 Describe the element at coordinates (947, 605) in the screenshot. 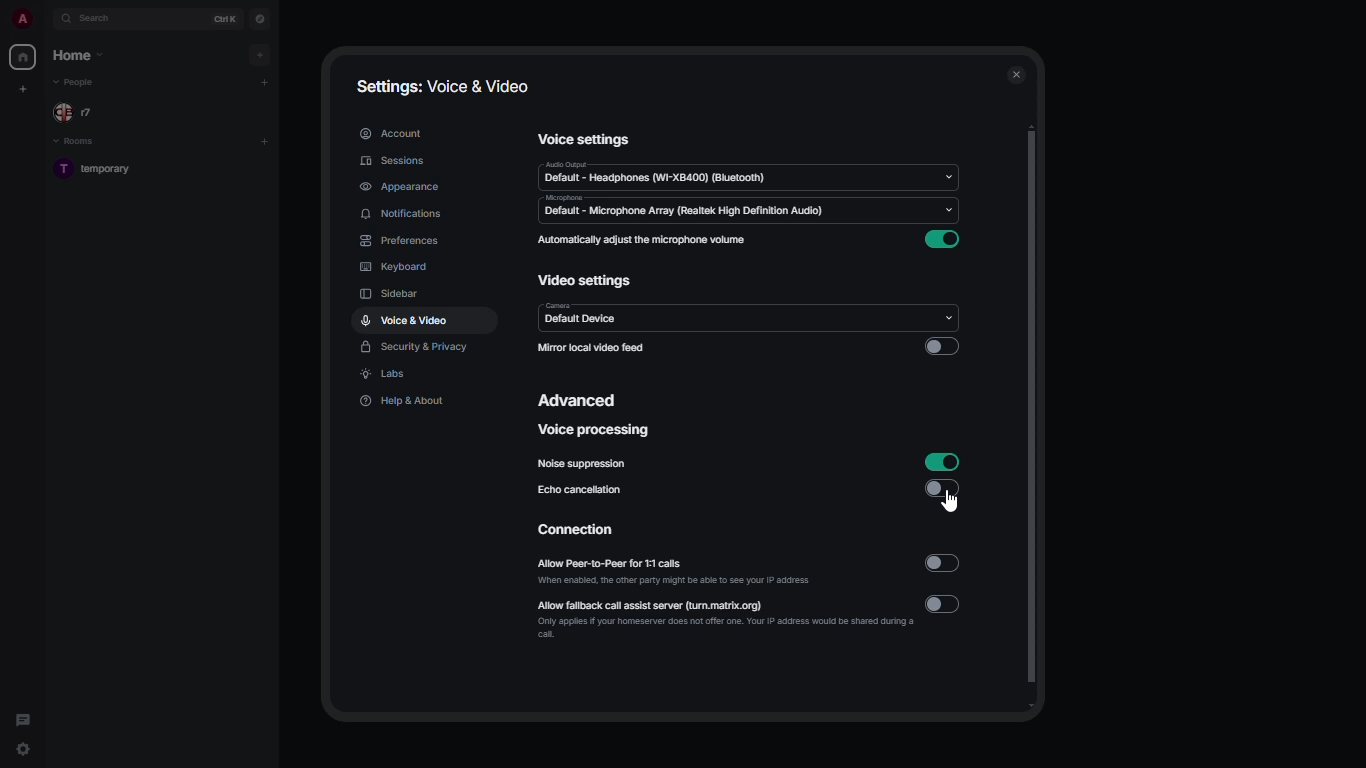

I see `disabled` at that location.